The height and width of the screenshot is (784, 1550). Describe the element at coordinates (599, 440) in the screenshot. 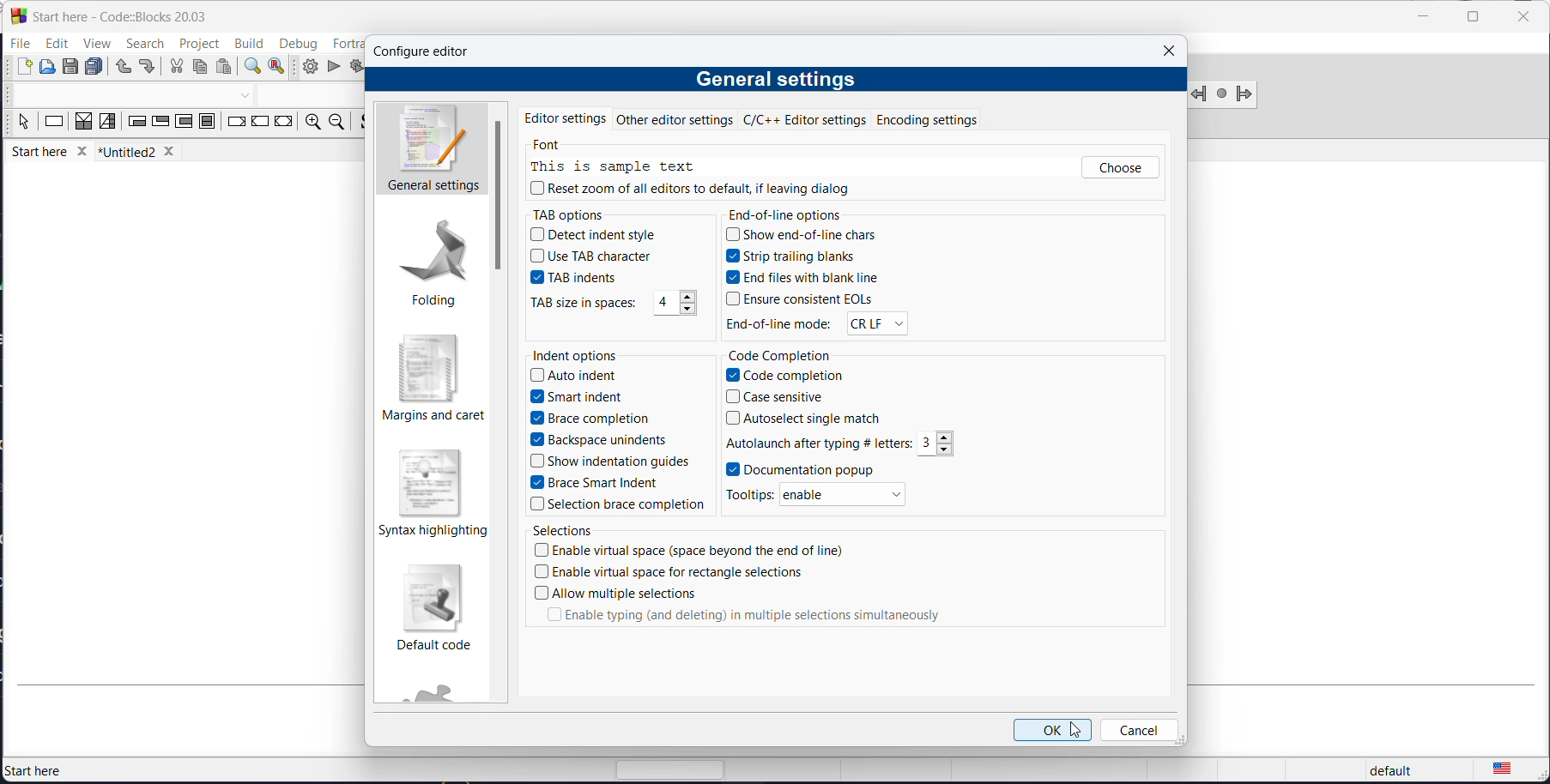

I see `backspace unindent` at that location.